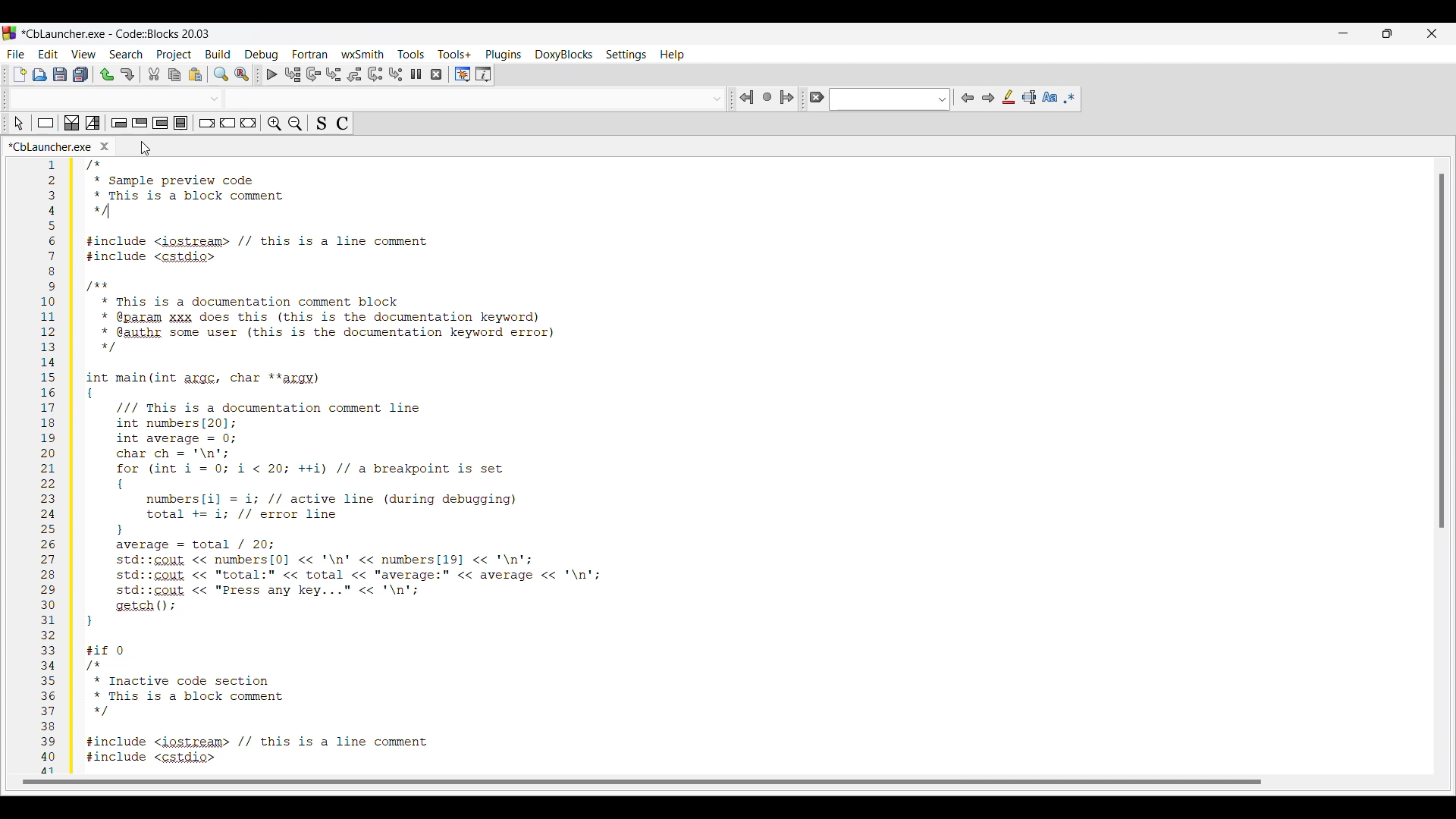 The height and width of the screenshot is (819, 1456). What do you see at coordinates (397, 74) in the screenshot?
I see `Step into instruction` at bounding box center [397, 74].